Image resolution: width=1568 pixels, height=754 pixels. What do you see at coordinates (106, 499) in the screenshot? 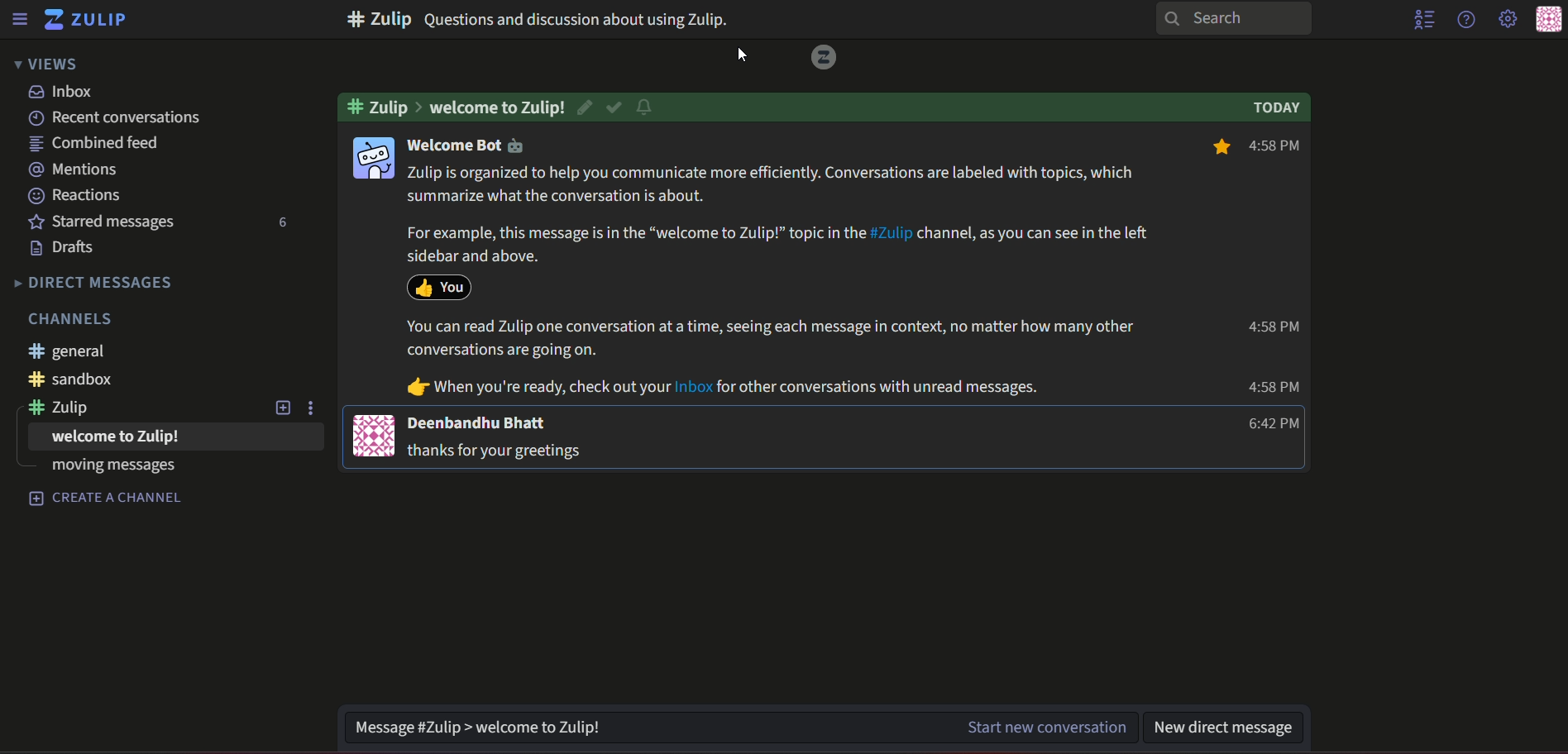
I see `Create a channel` at bounding box center [106, 499].